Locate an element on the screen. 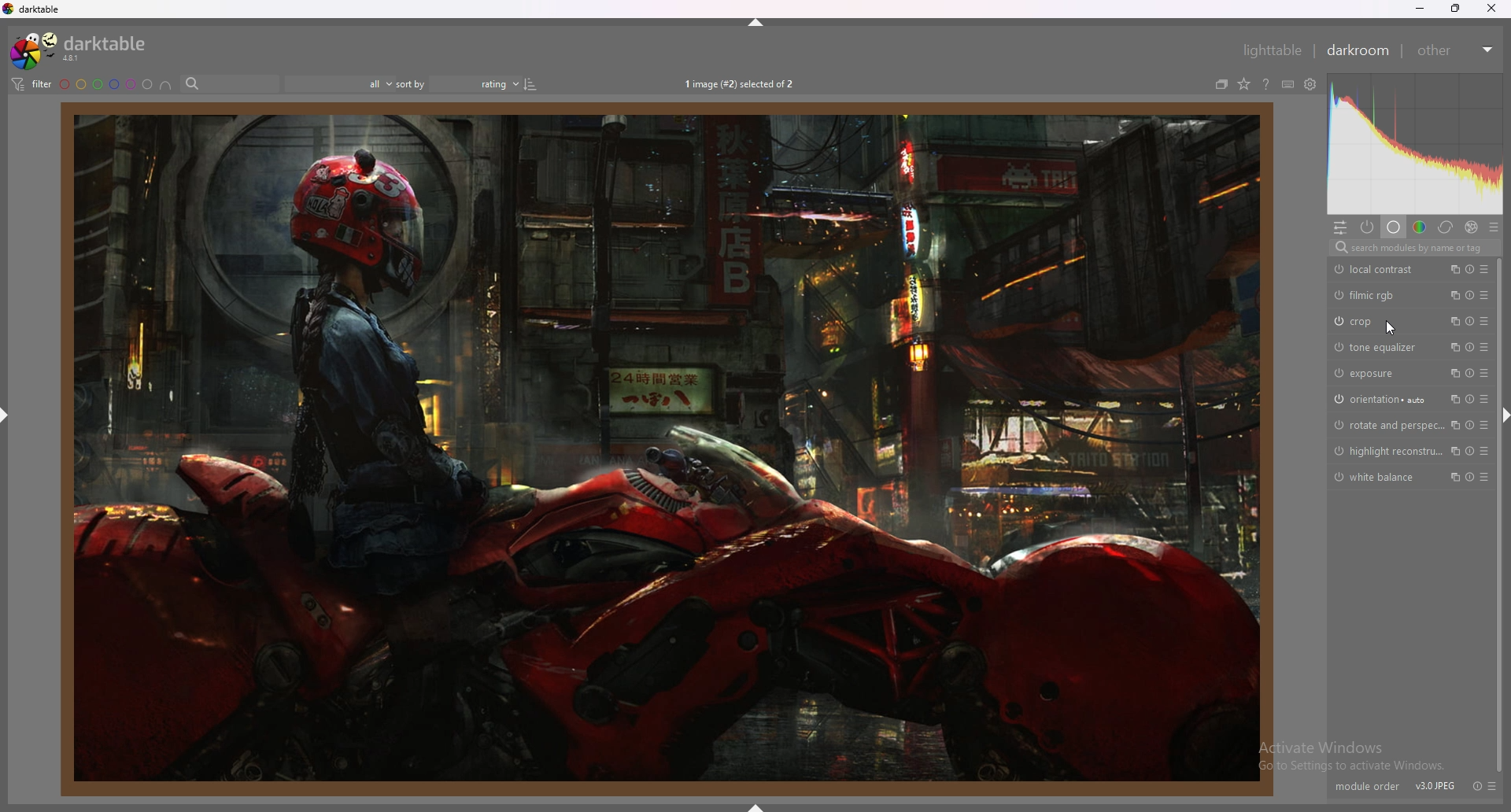 This screenshot has height=812, width=1511. multiple instances action is located at coordinates (1453, 425).